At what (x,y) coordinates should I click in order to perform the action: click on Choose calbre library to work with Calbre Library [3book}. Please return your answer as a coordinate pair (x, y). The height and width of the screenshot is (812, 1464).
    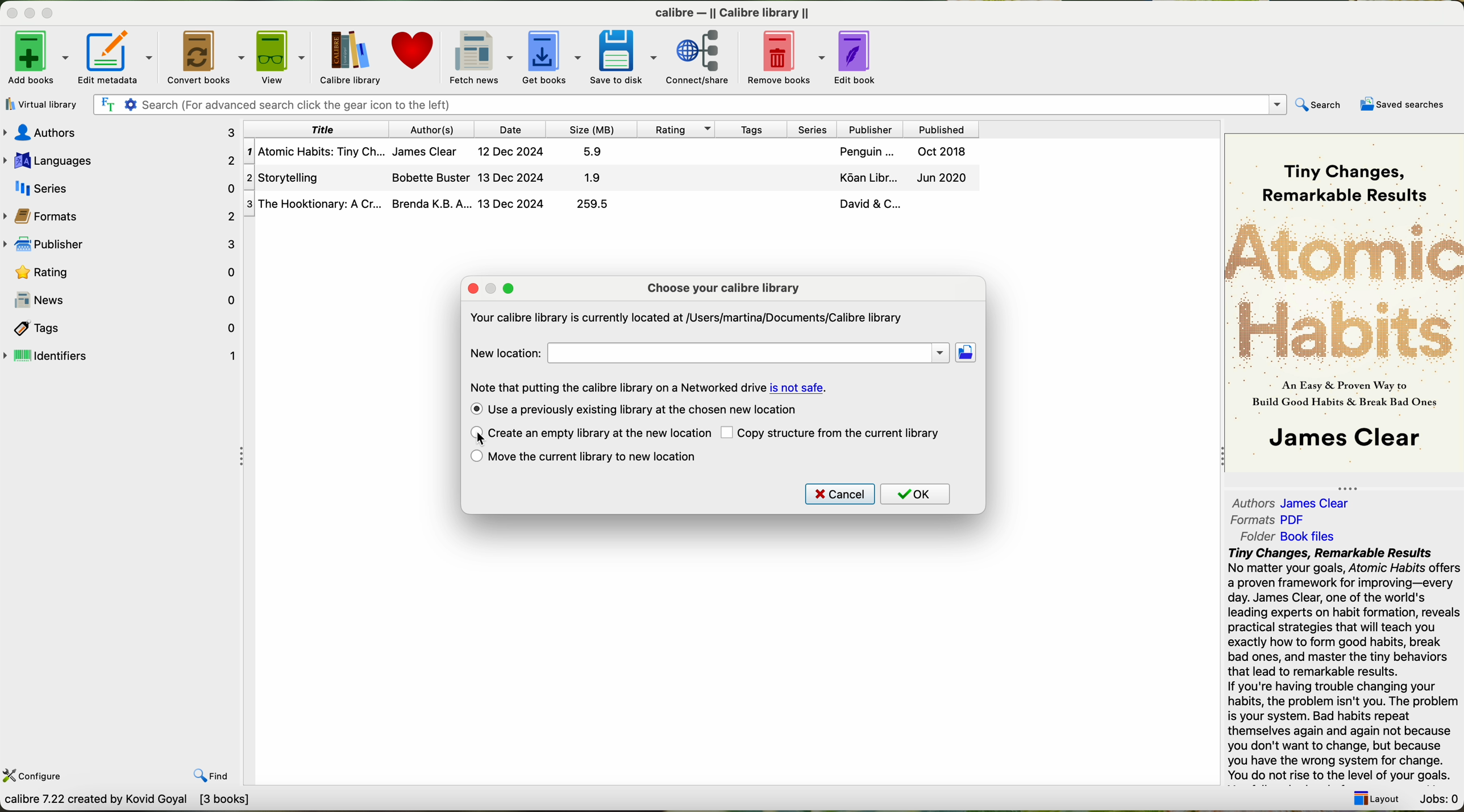
    Looking at the image, I should click on (168, 802).